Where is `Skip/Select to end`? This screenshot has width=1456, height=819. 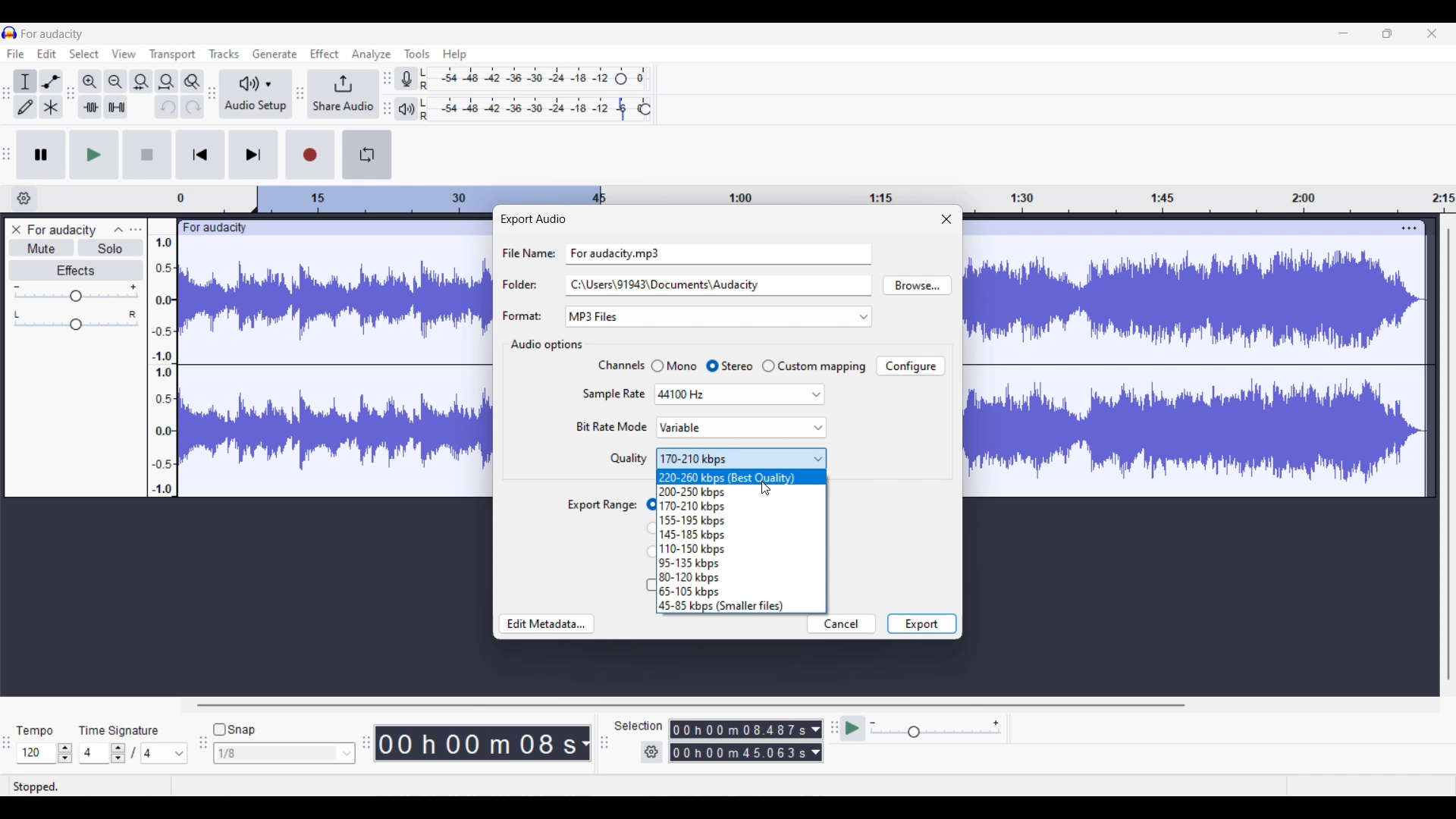 Skip/Select to end is located at coordinates (254, 154).